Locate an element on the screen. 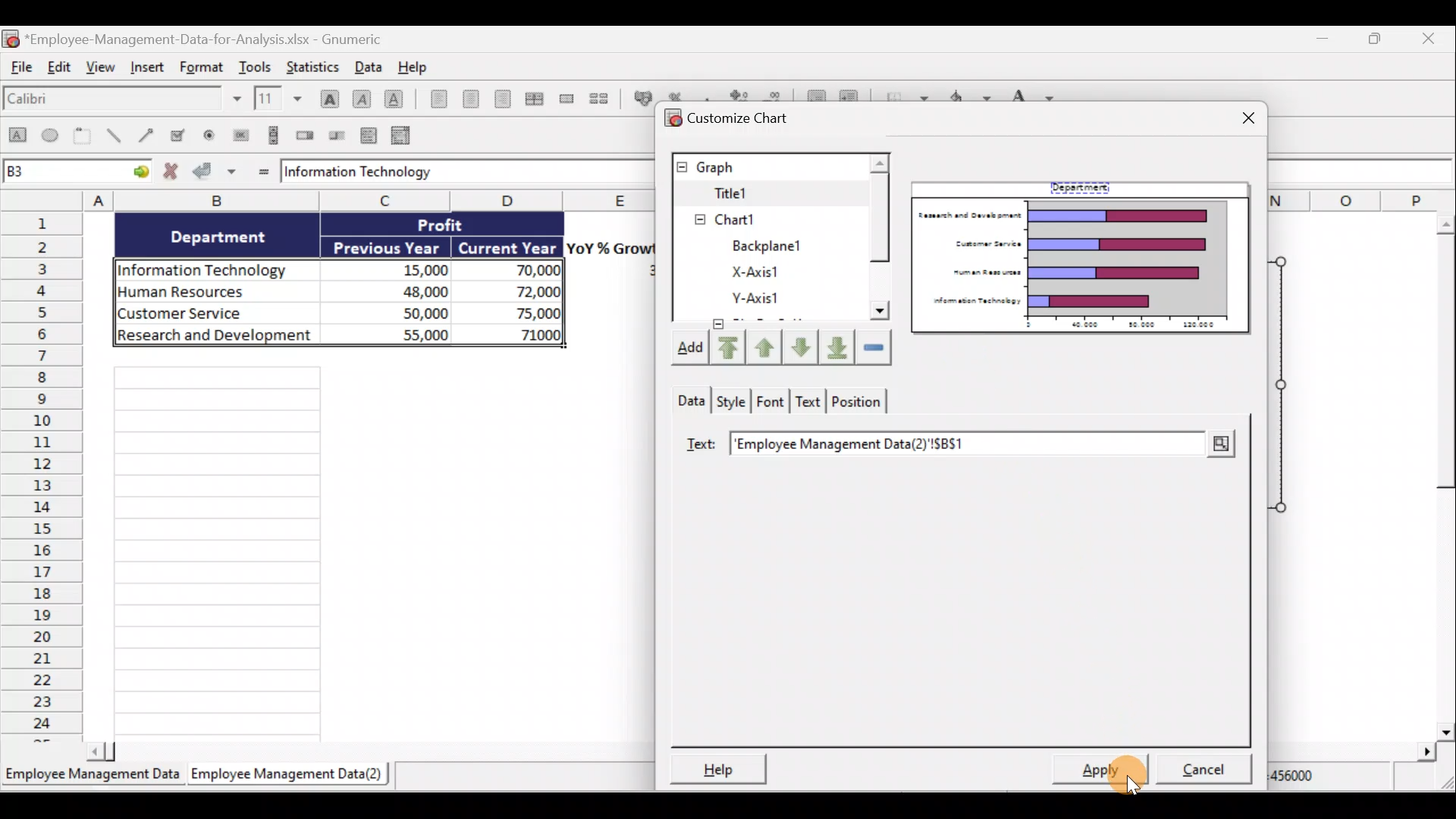  Create a checkbox is located at coordinates (184, 135).